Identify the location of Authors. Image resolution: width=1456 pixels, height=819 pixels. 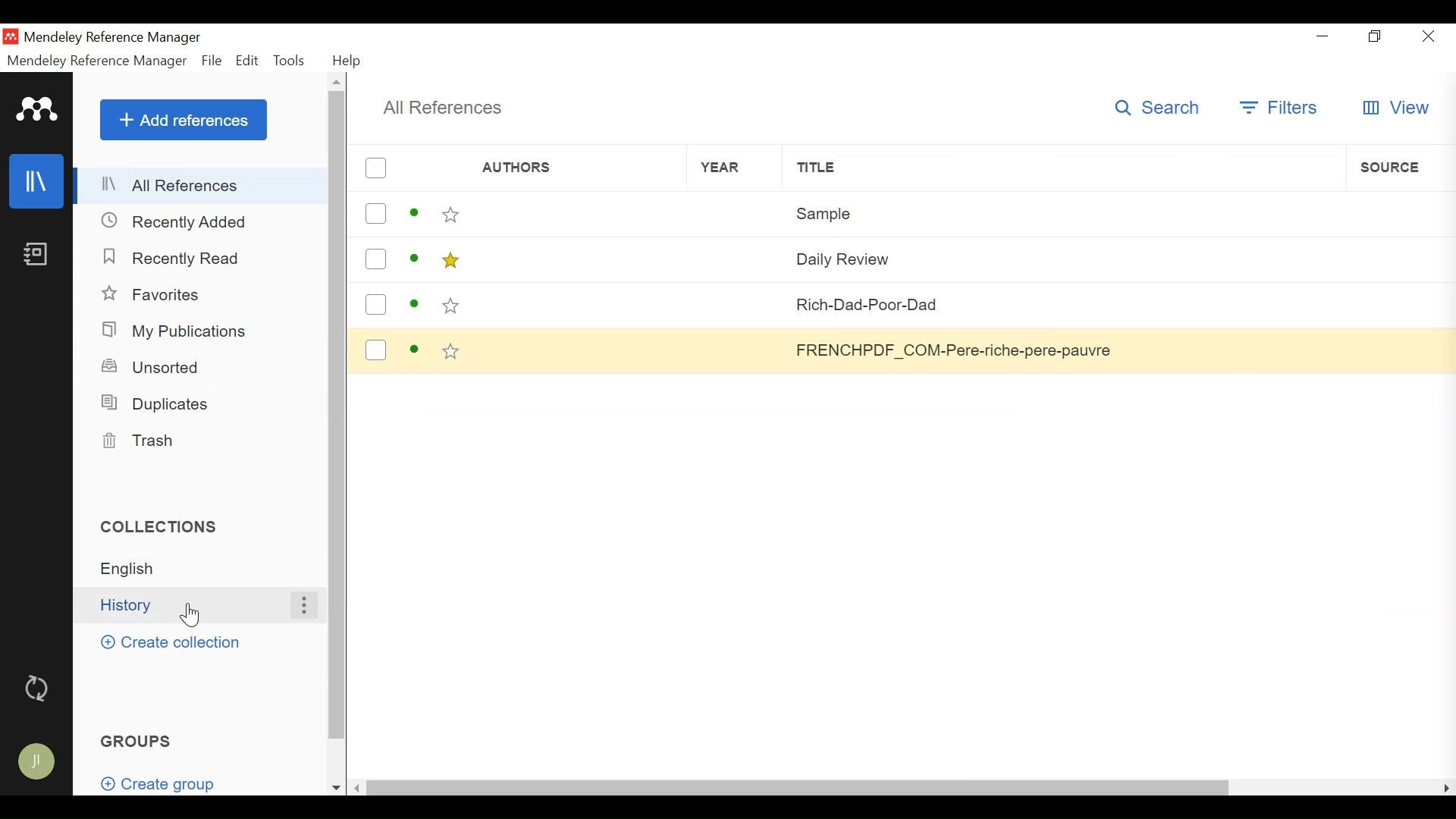
(554, 169).